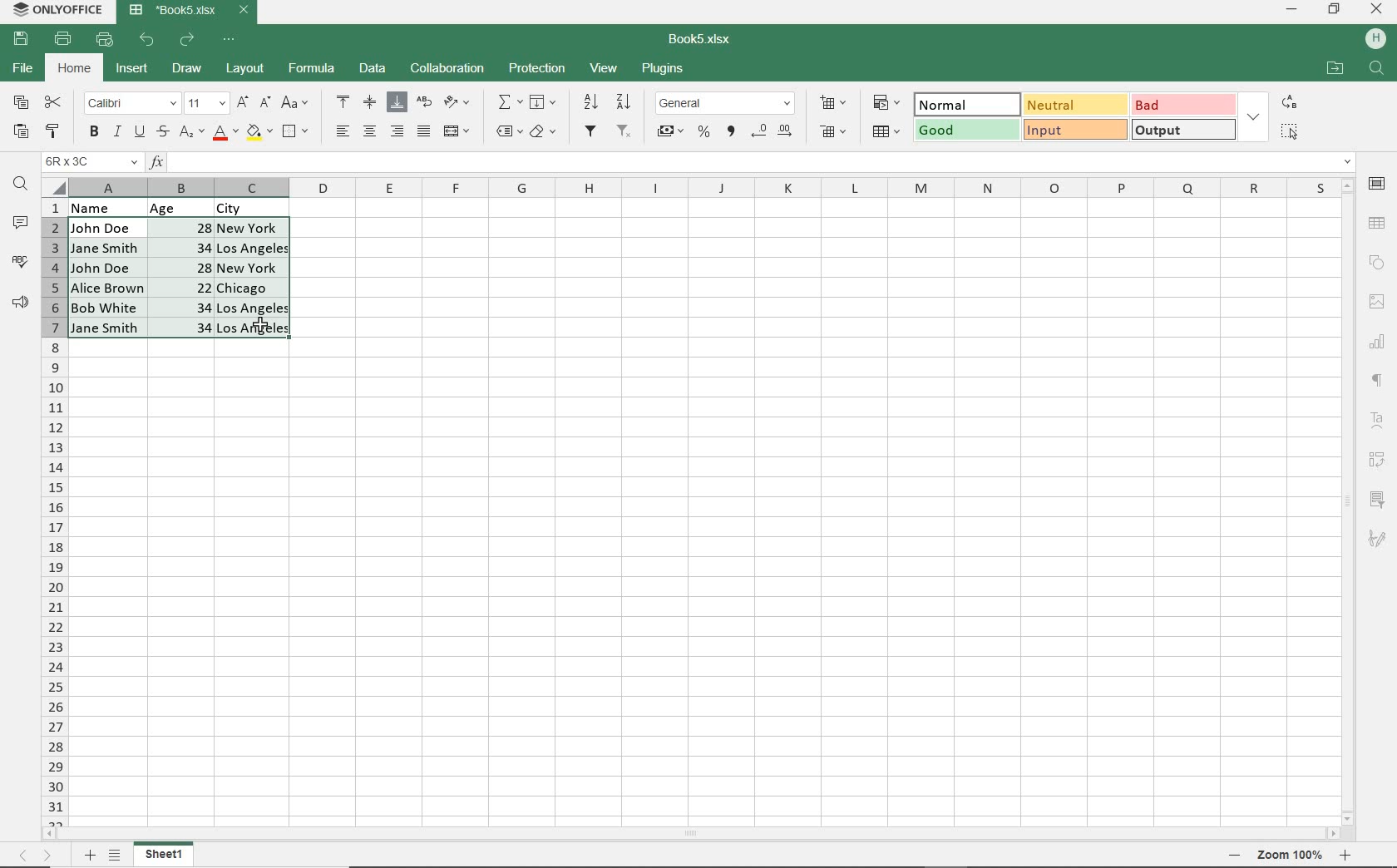 Image resolution: width=1397 pixels, height=868 pixels. Describe the element at coordinates (180, 278) in the screenshot. I see `CELLS SELECTED` at that location.